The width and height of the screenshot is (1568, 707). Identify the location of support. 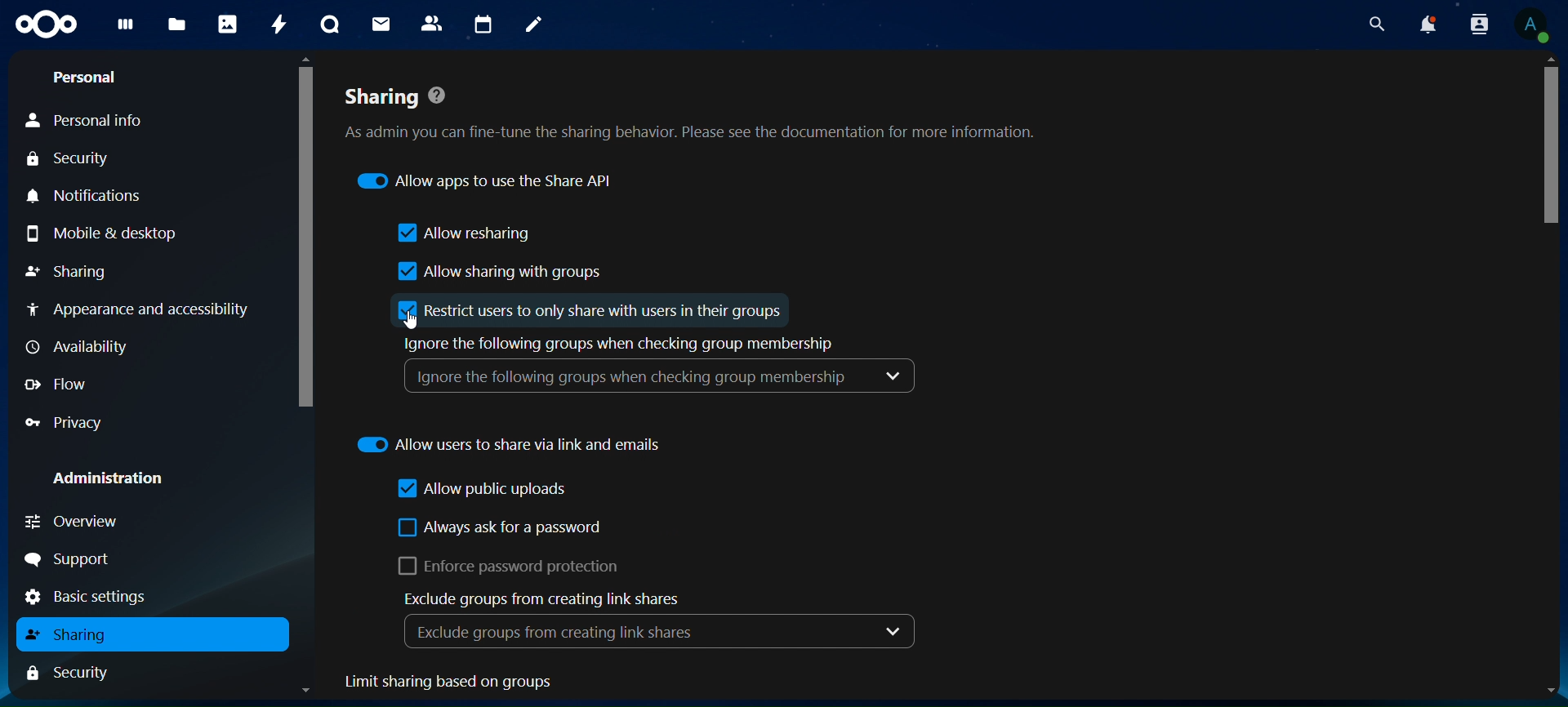
(69, 559).